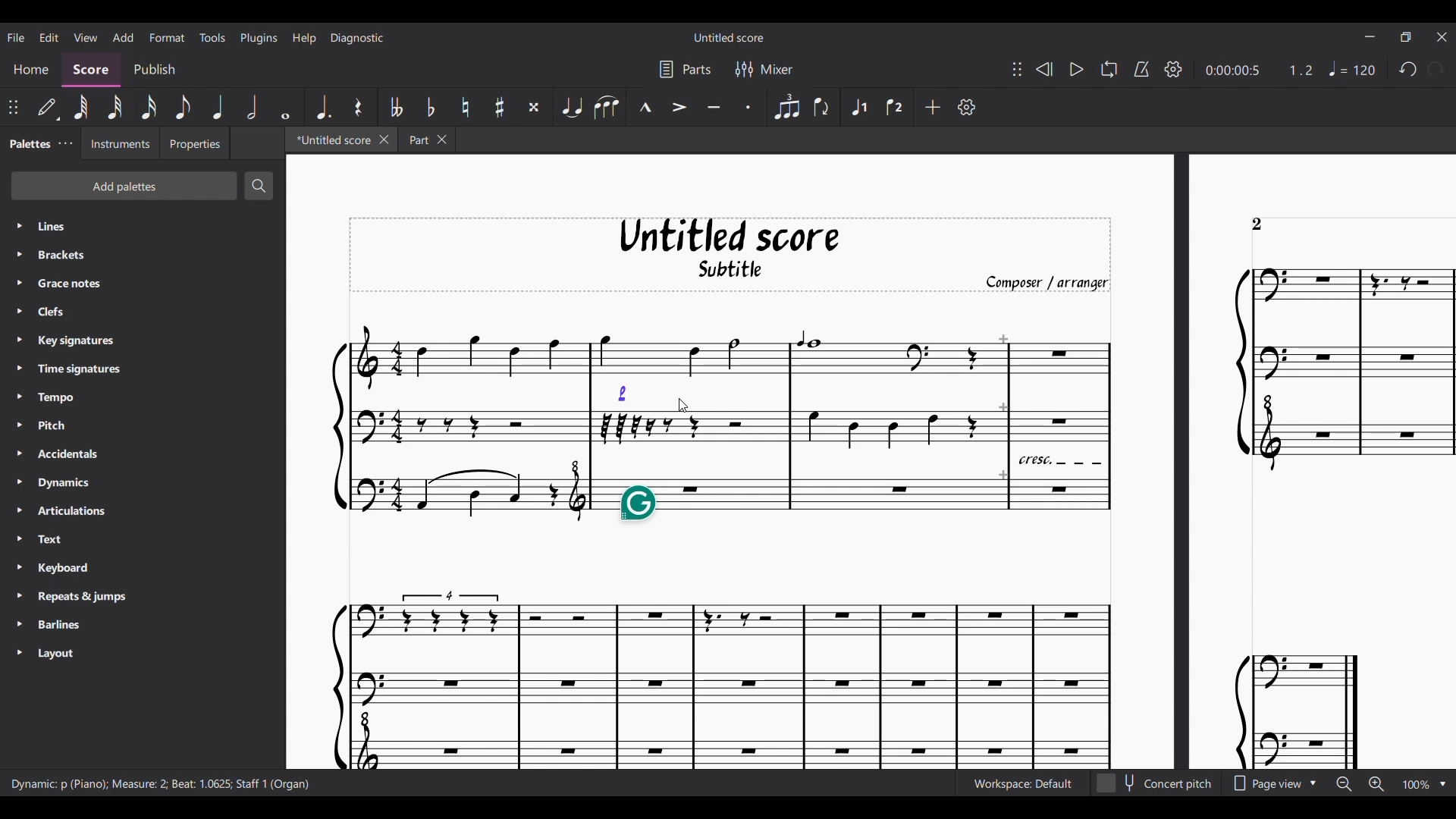 This screenshot has height=819, width=1456. I want to click on Staccato, so click(749, 106).